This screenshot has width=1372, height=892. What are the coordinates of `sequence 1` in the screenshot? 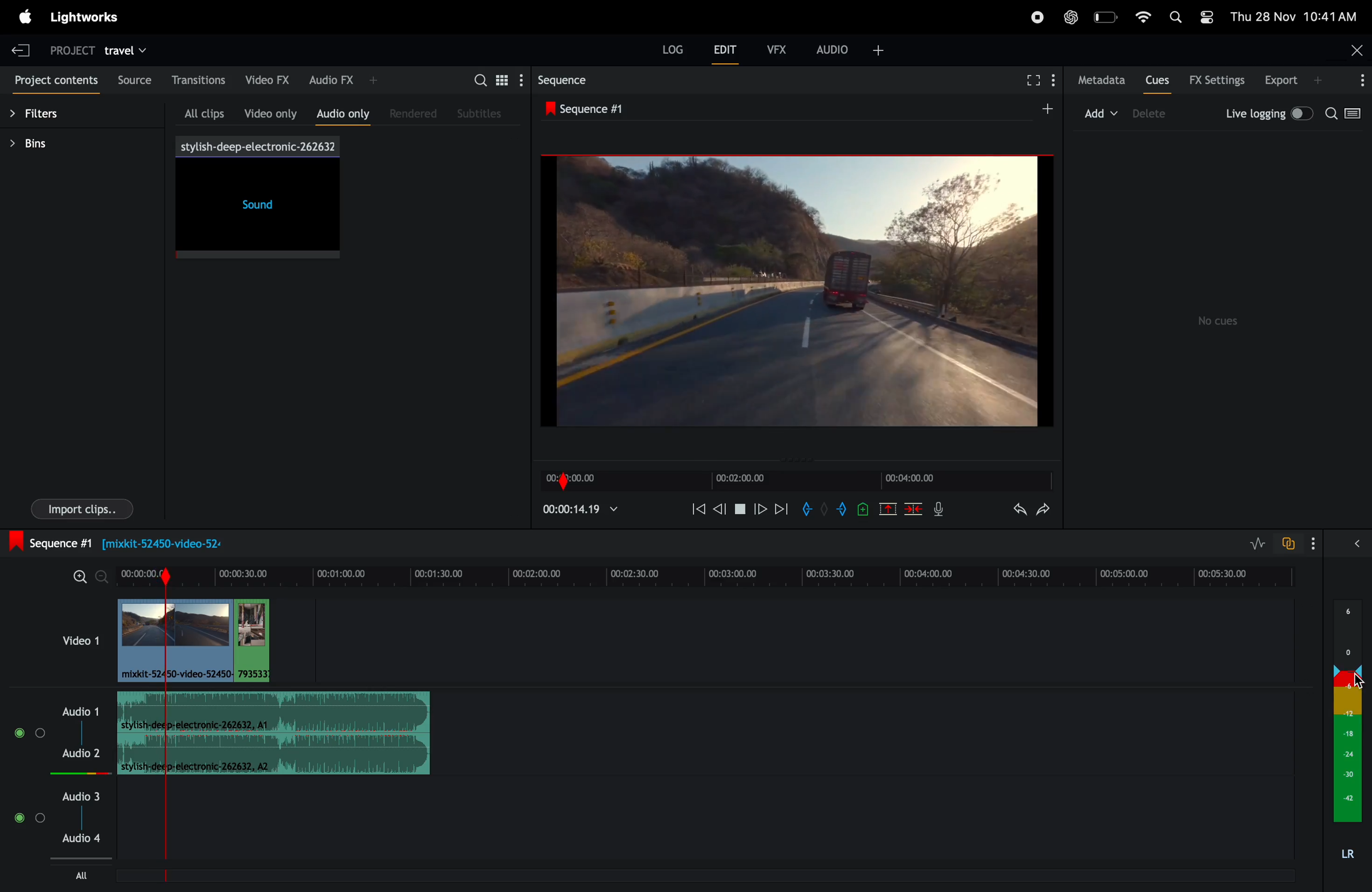 It's located at (691, 109).